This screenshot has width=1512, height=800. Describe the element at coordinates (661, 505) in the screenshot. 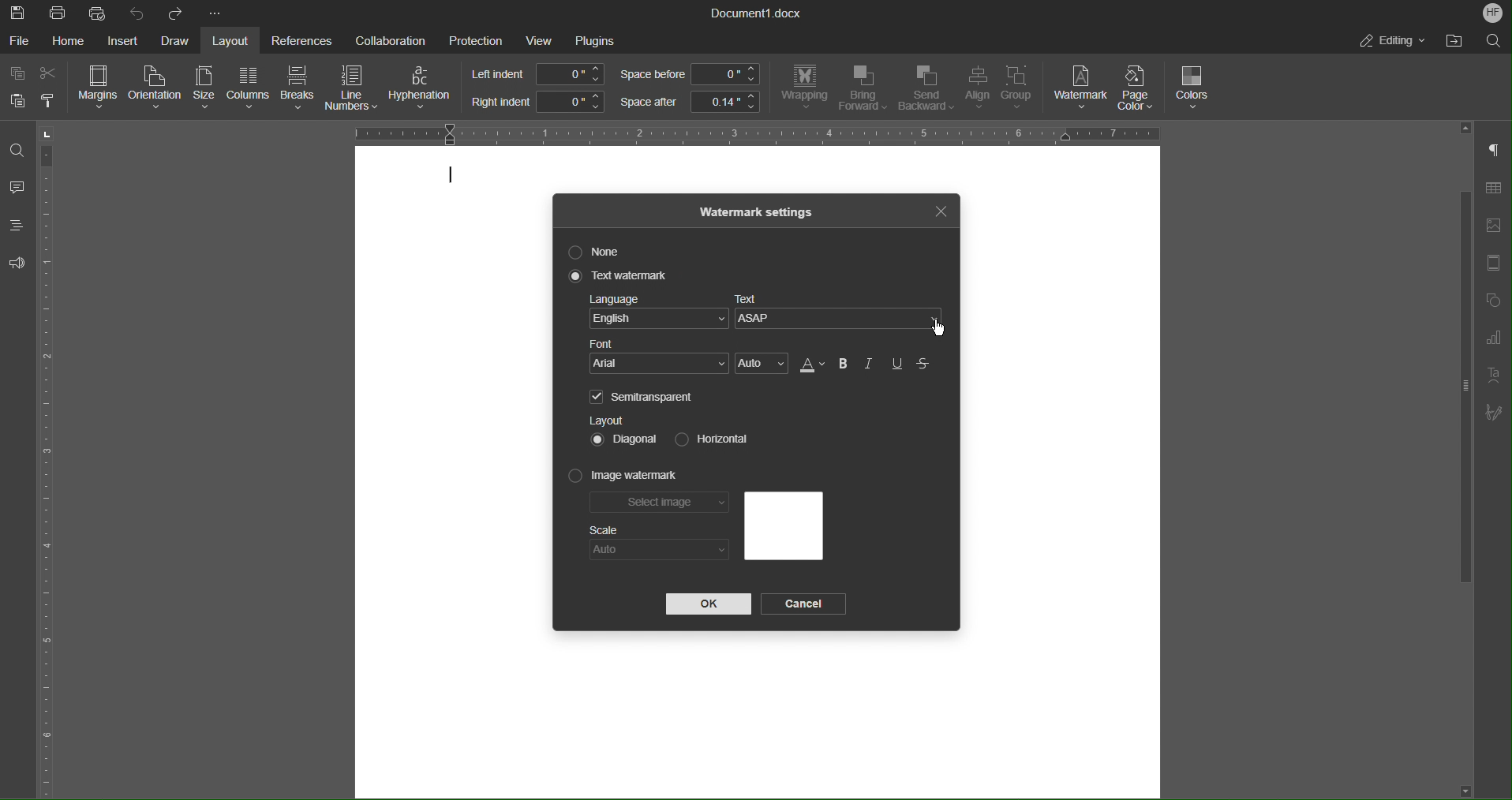

I see `Select image` at that location.